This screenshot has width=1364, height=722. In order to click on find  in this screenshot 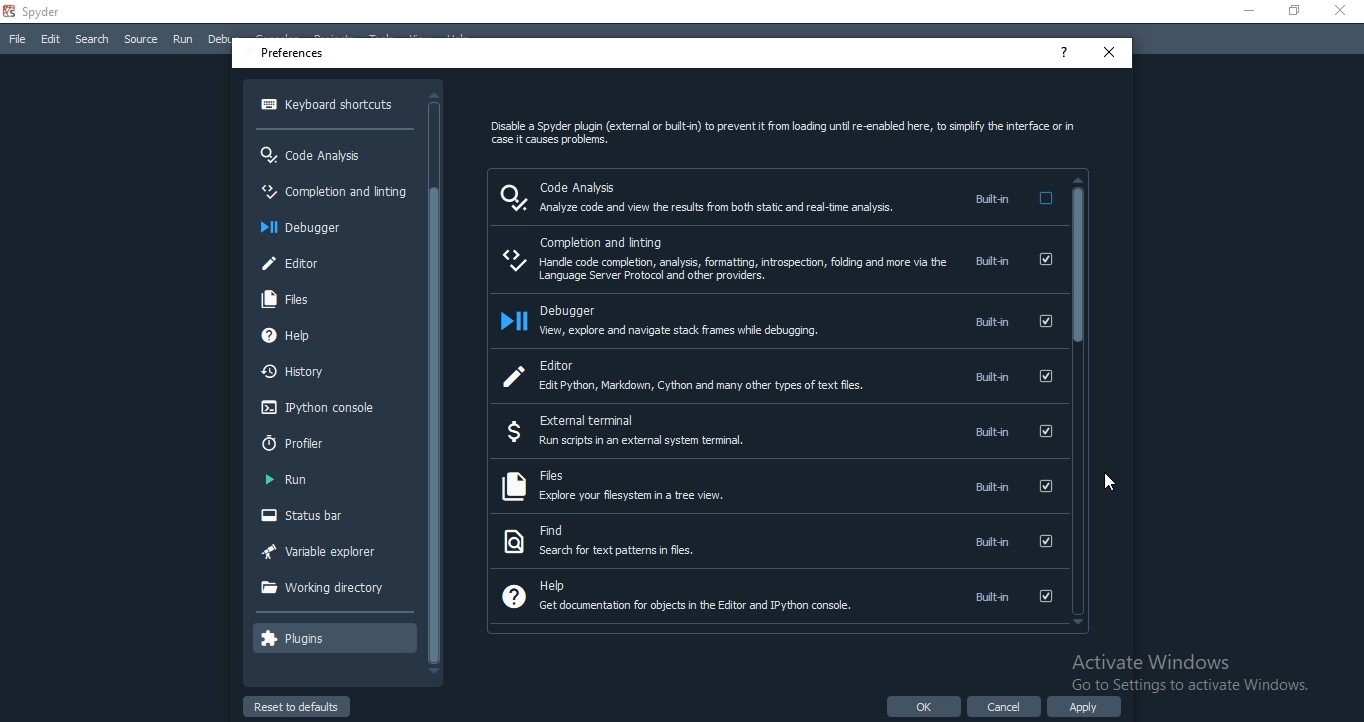, I will do `click(773, 540)`.